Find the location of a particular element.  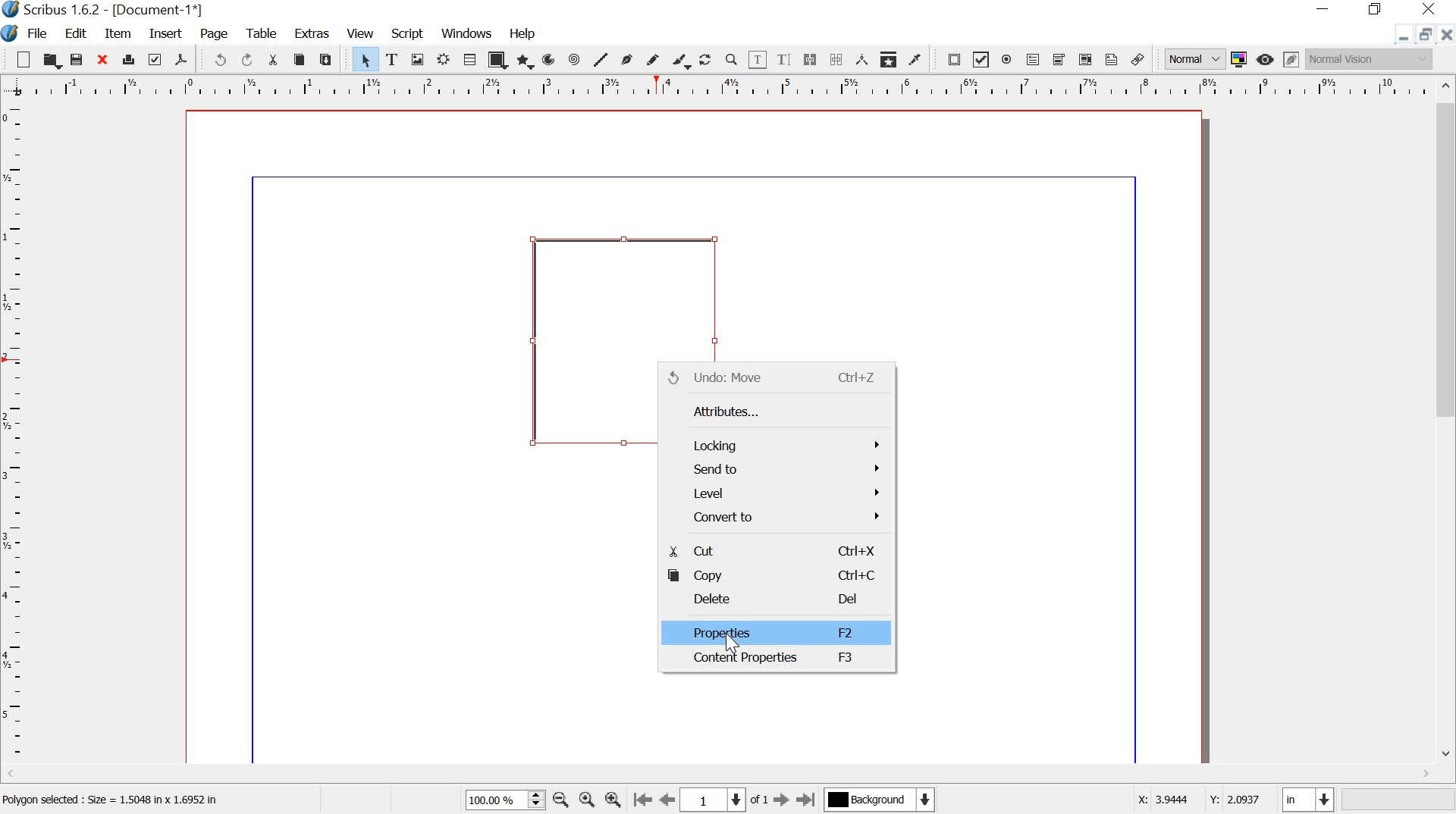

go to last page is located at coordinates (808, 799).